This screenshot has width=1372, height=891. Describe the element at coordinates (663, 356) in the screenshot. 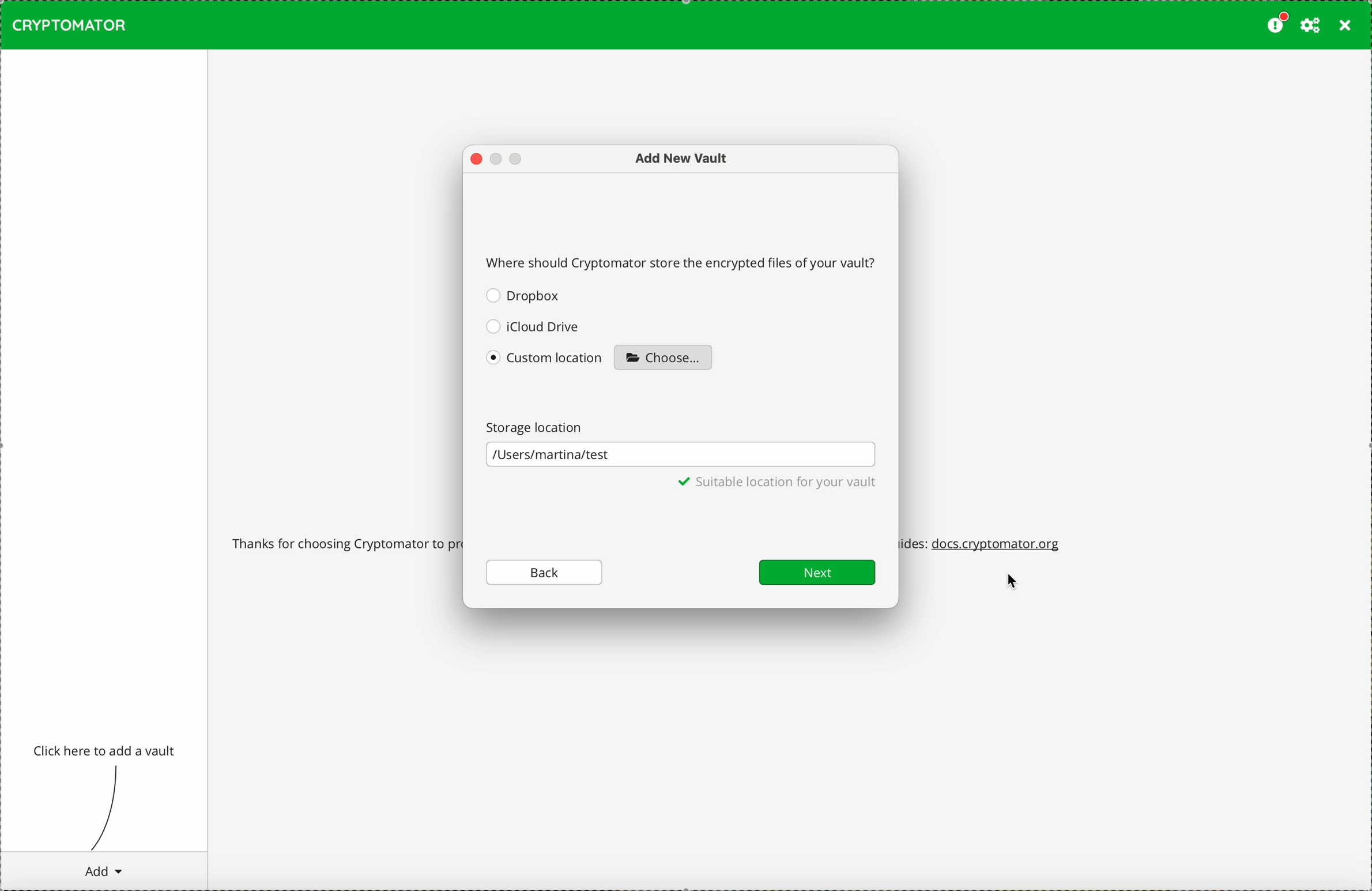

I see `choose folder` at that location.